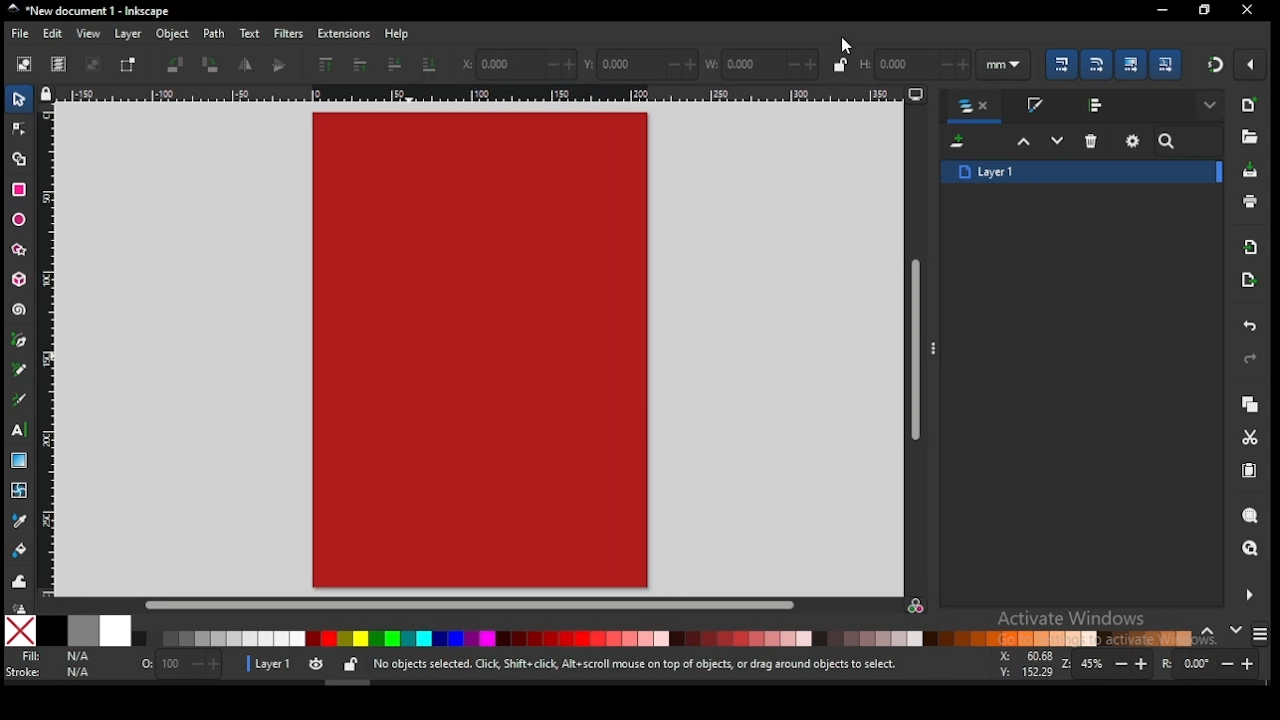  I want to click on width of selection, so click(763, 64).